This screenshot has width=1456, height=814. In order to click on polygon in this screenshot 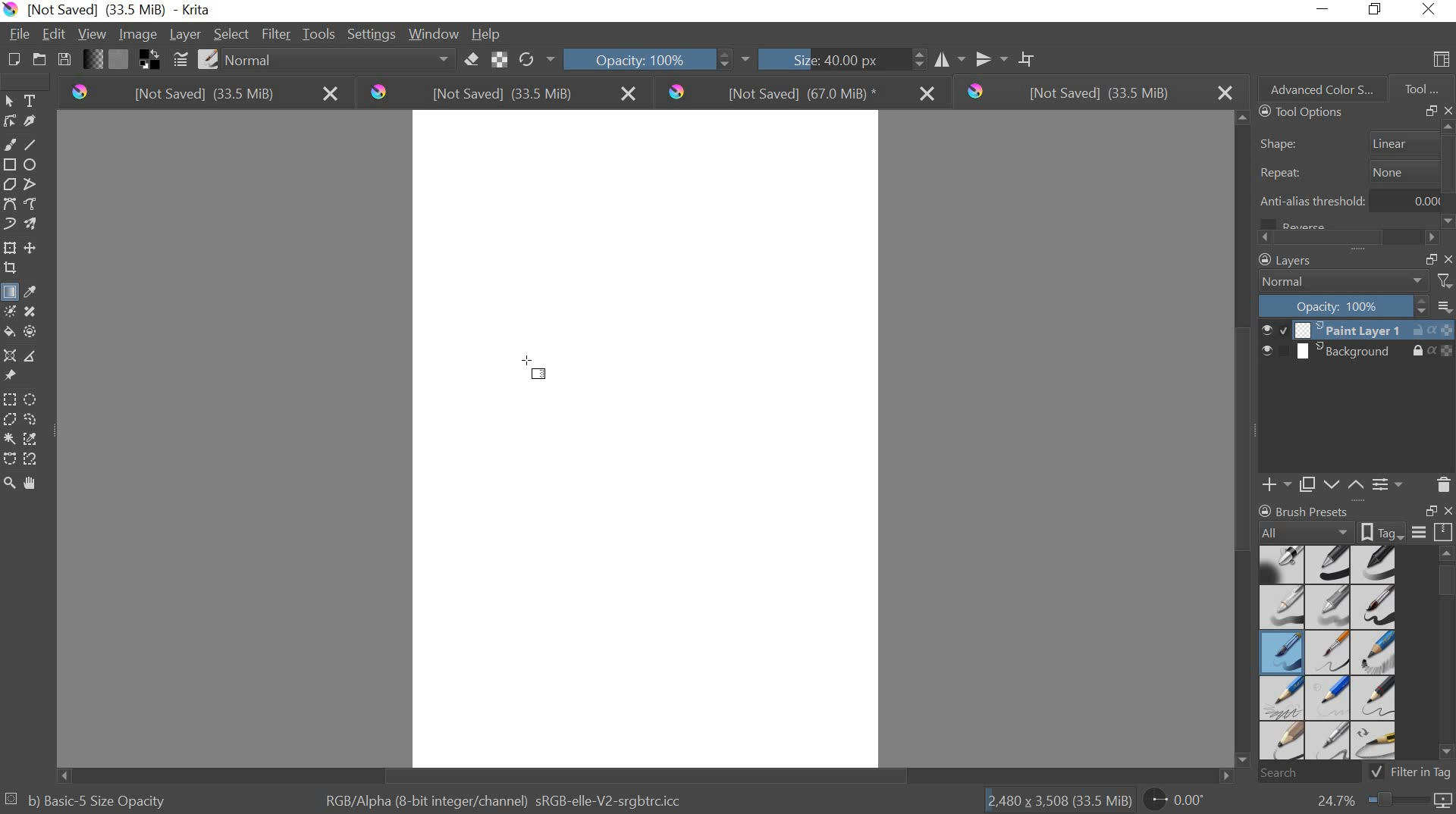, I will do `click(11, 183)`.